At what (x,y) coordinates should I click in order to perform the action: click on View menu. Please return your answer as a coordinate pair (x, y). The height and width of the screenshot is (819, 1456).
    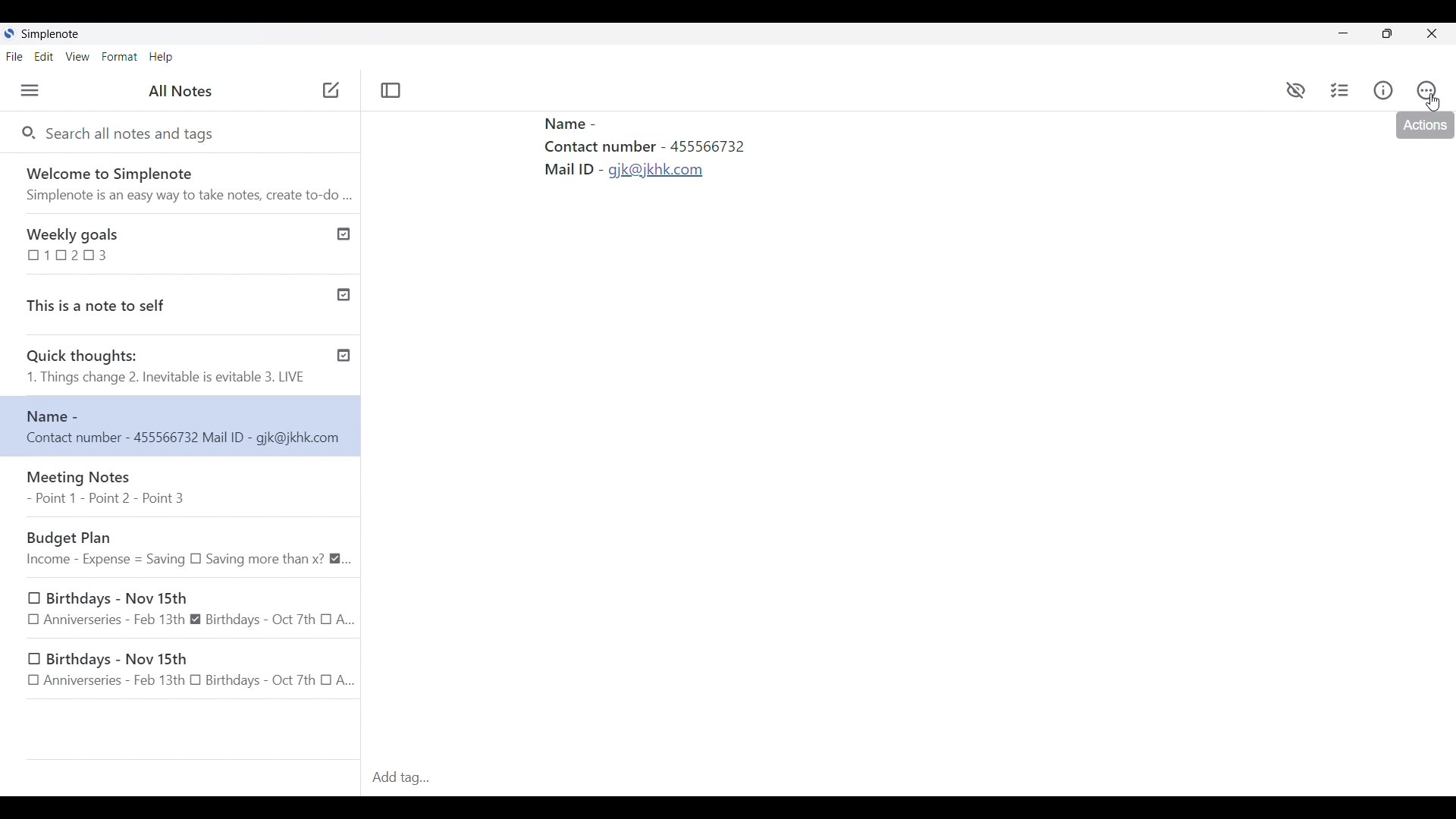
    Looking at the image, I should click on (78, 57).